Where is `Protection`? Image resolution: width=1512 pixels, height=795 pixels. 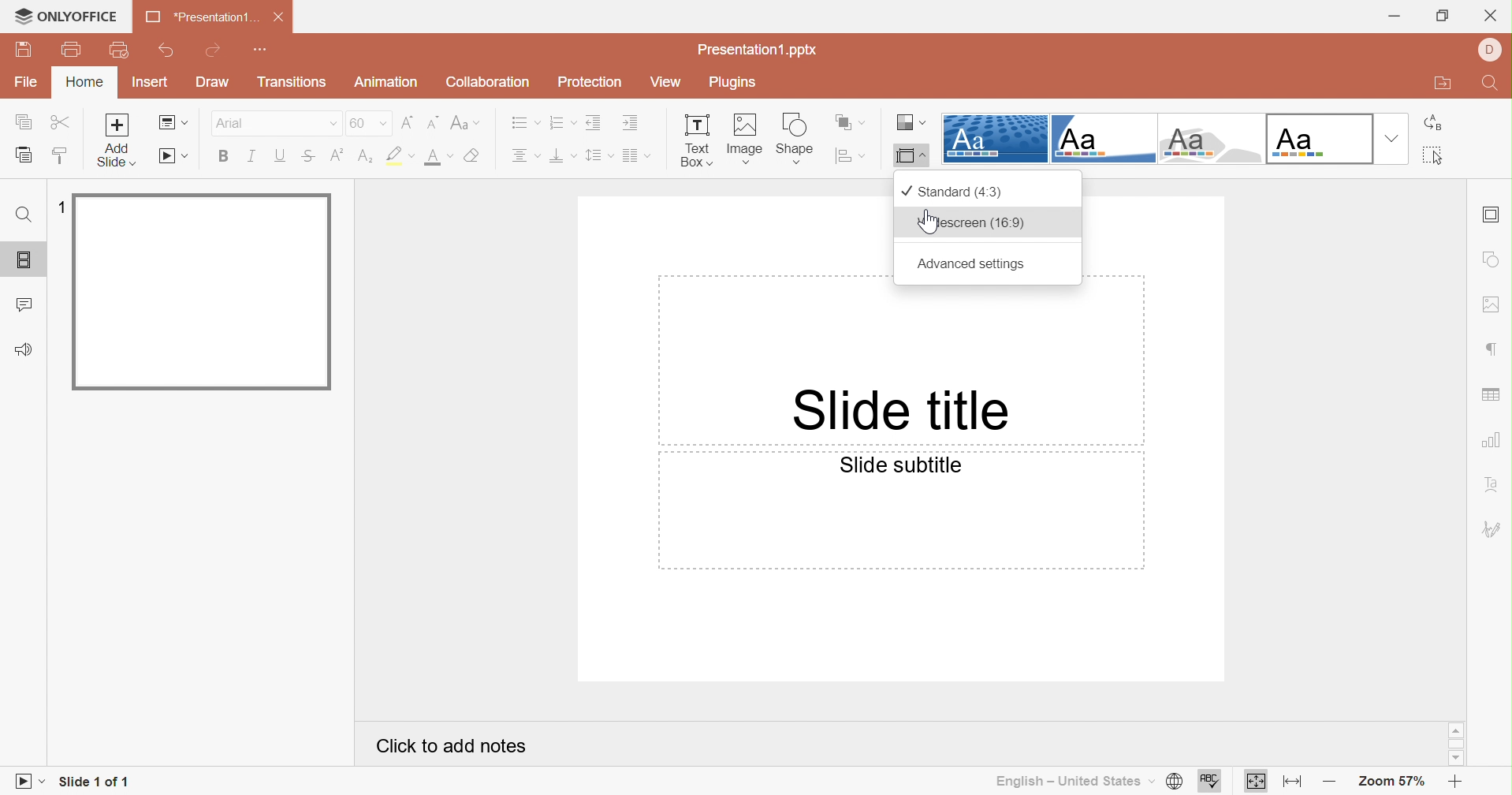
Protection is located at coordinates (594, 80).